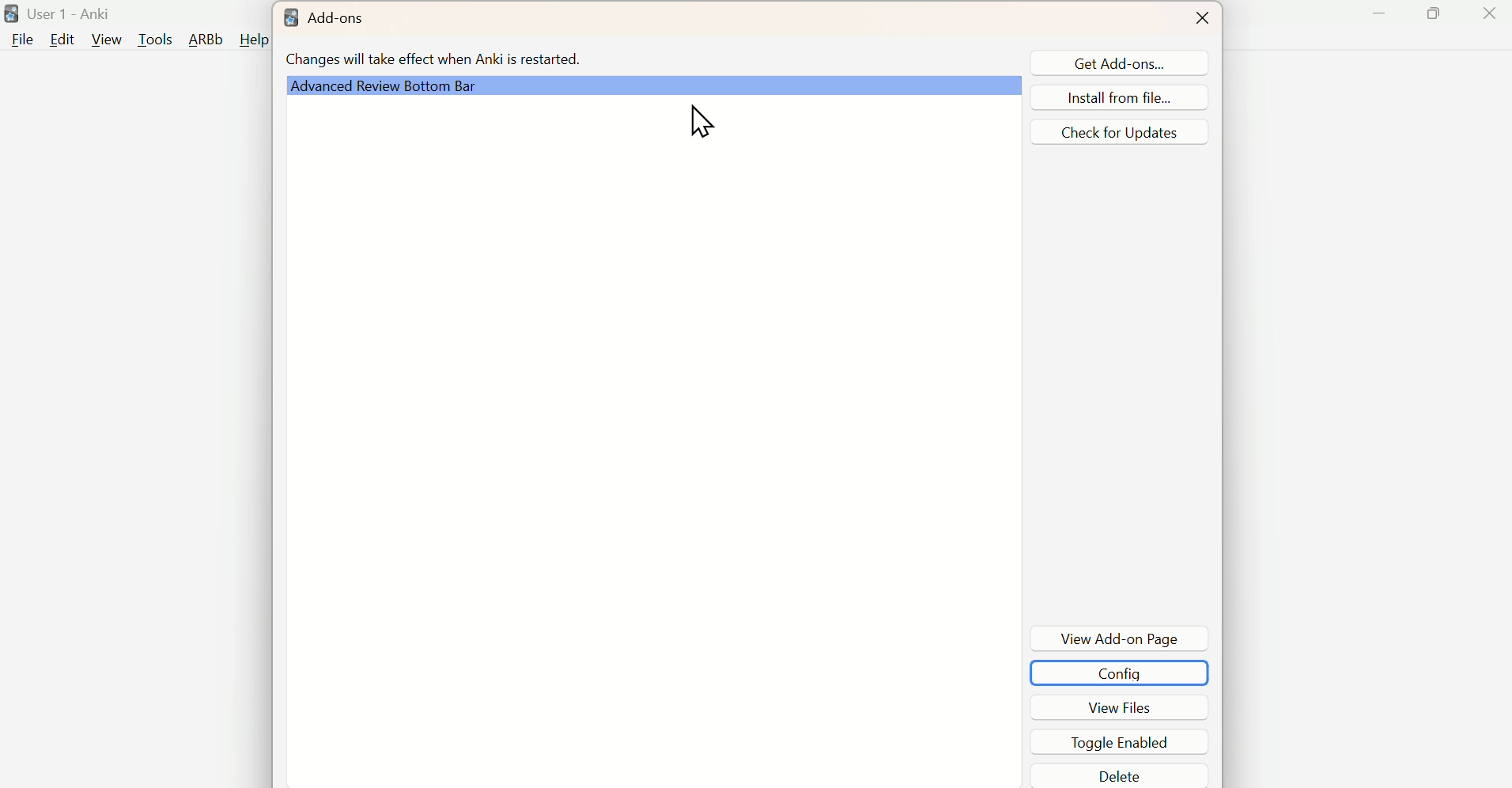 The image size is (1512, 788). I want to click on Get Add-ons..., so click(1114, 63).